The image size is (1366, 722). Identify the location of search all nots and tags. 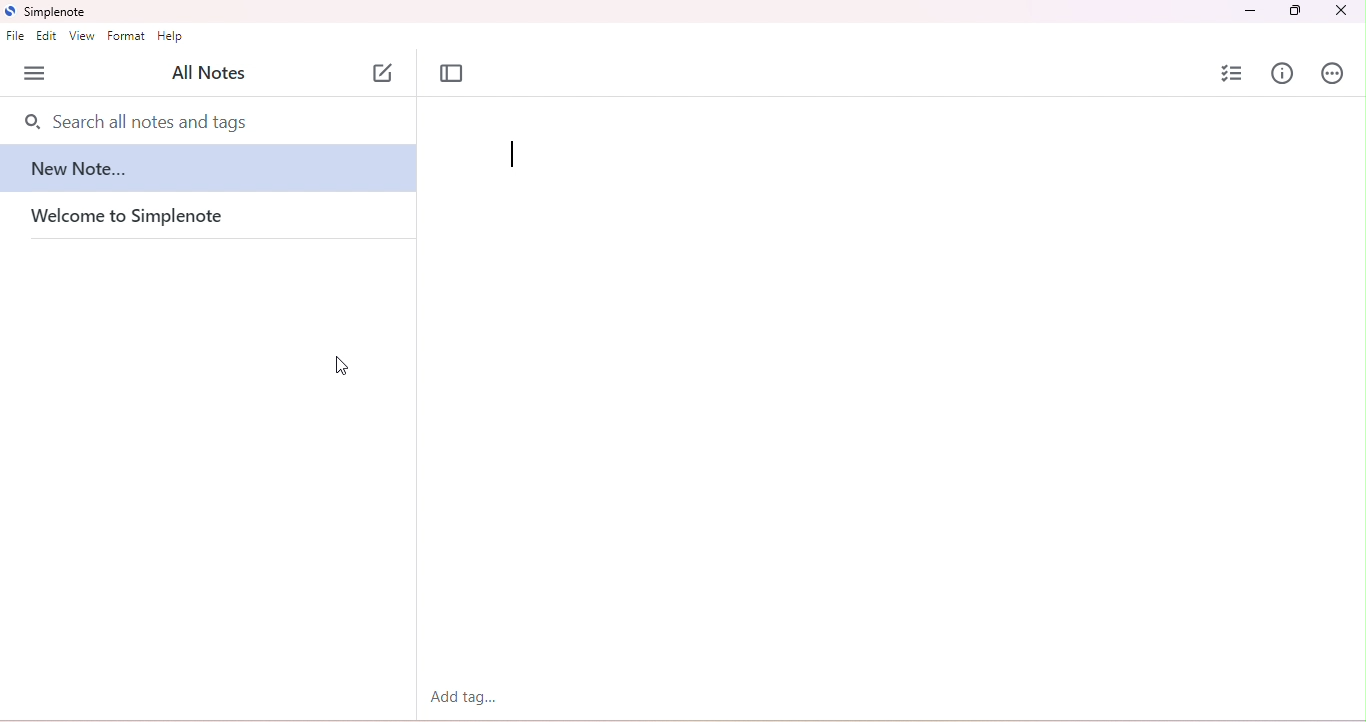
(149, 122).